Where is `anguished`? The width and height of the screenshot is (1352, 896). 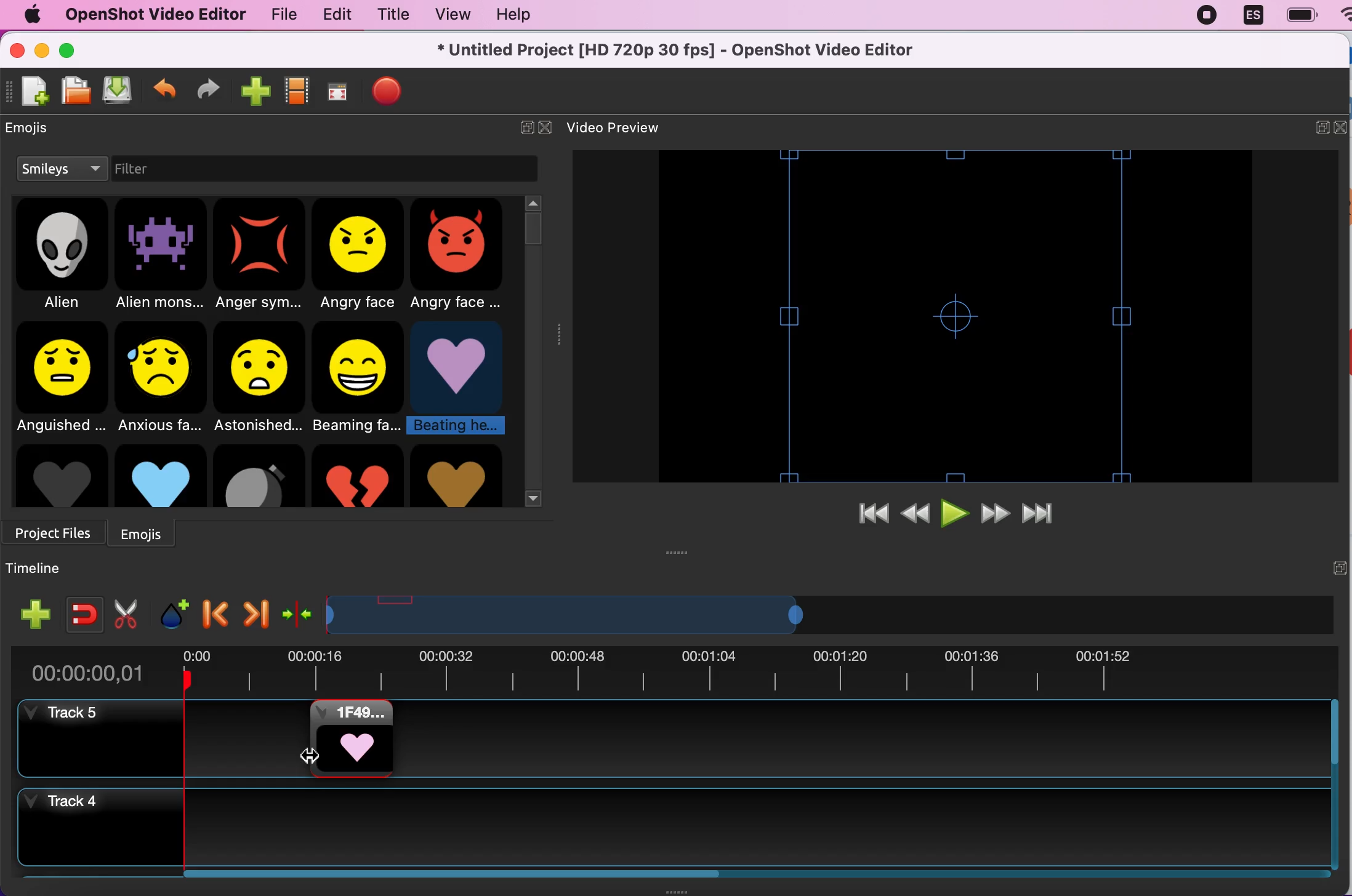 anguished is located at coordinates (60, 377).